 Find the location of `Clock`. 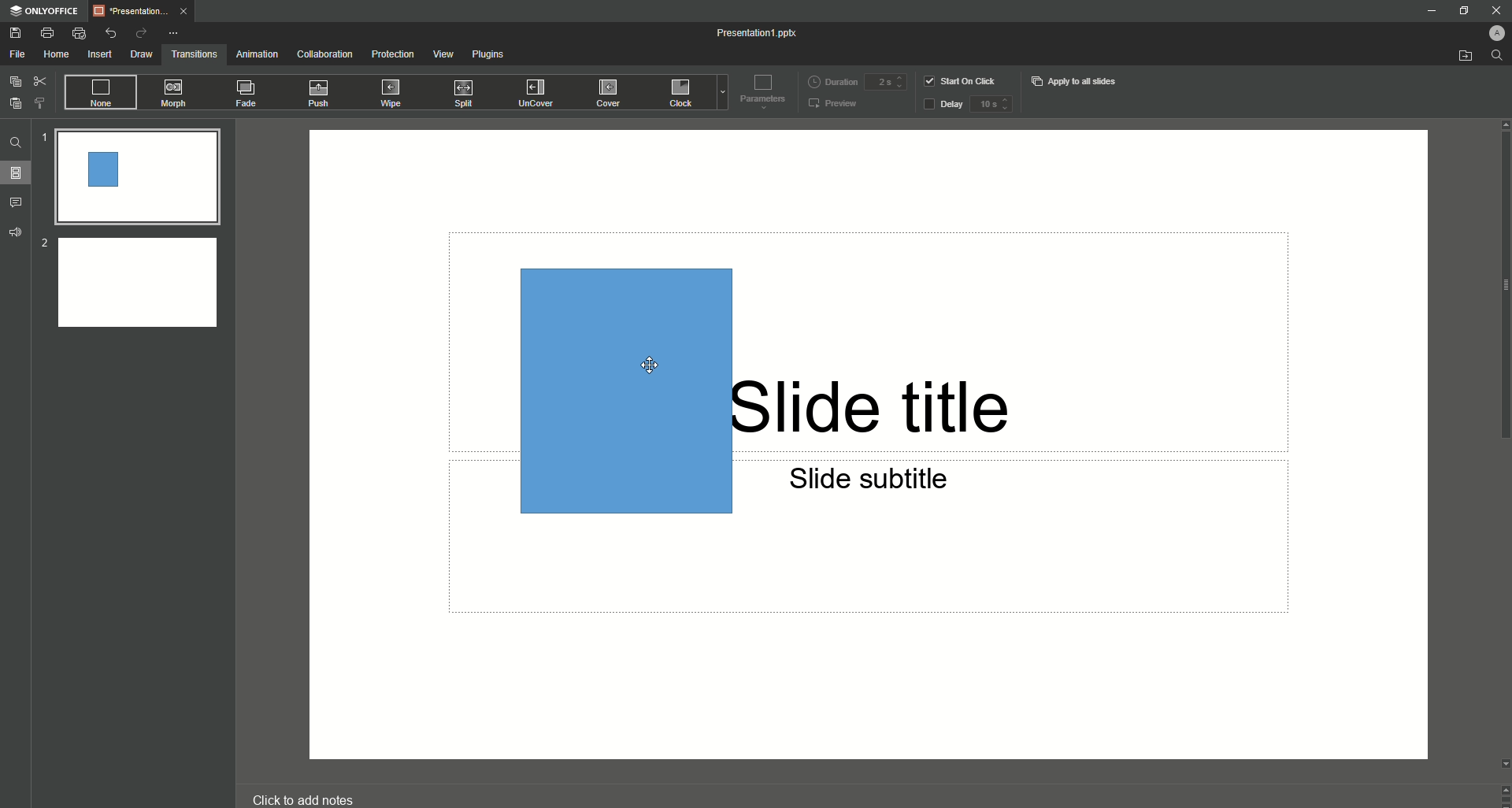

Clock is located at coordinates (677, 95).